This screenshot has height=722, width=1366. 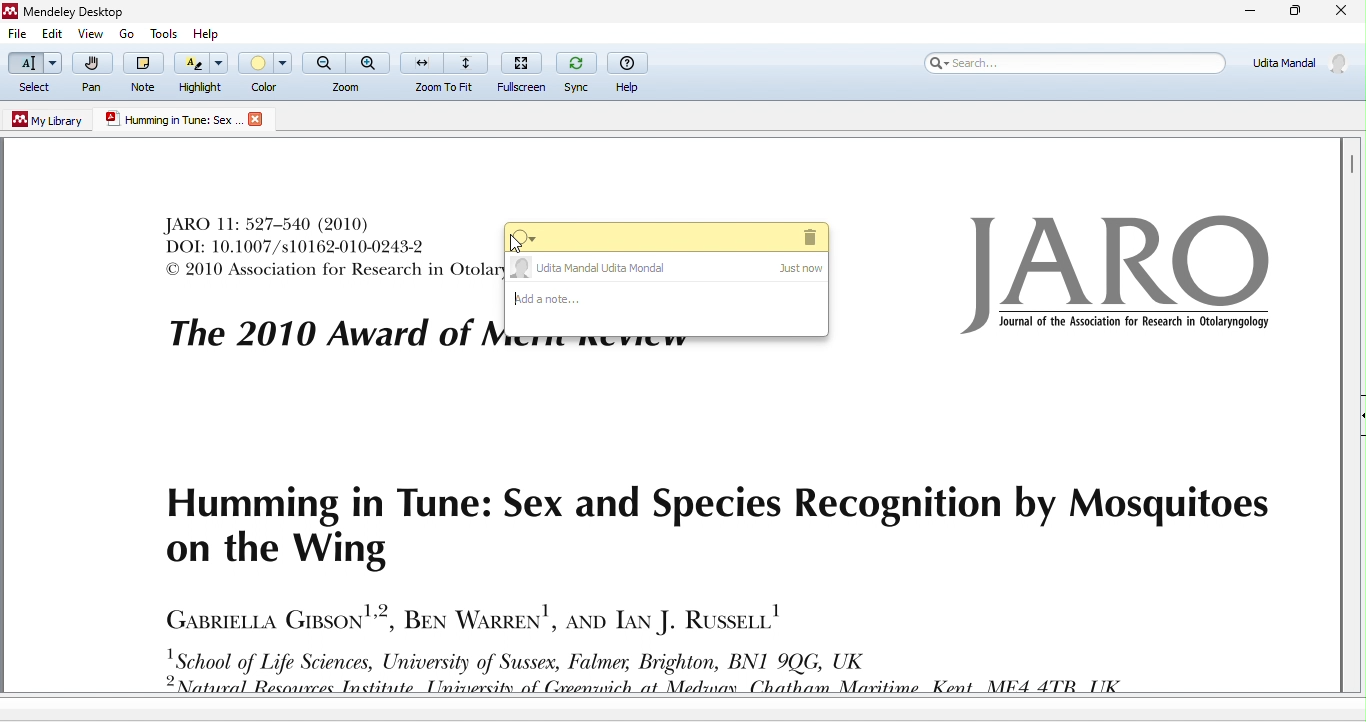 I want to click on logo, so click(x=1115, y=279).